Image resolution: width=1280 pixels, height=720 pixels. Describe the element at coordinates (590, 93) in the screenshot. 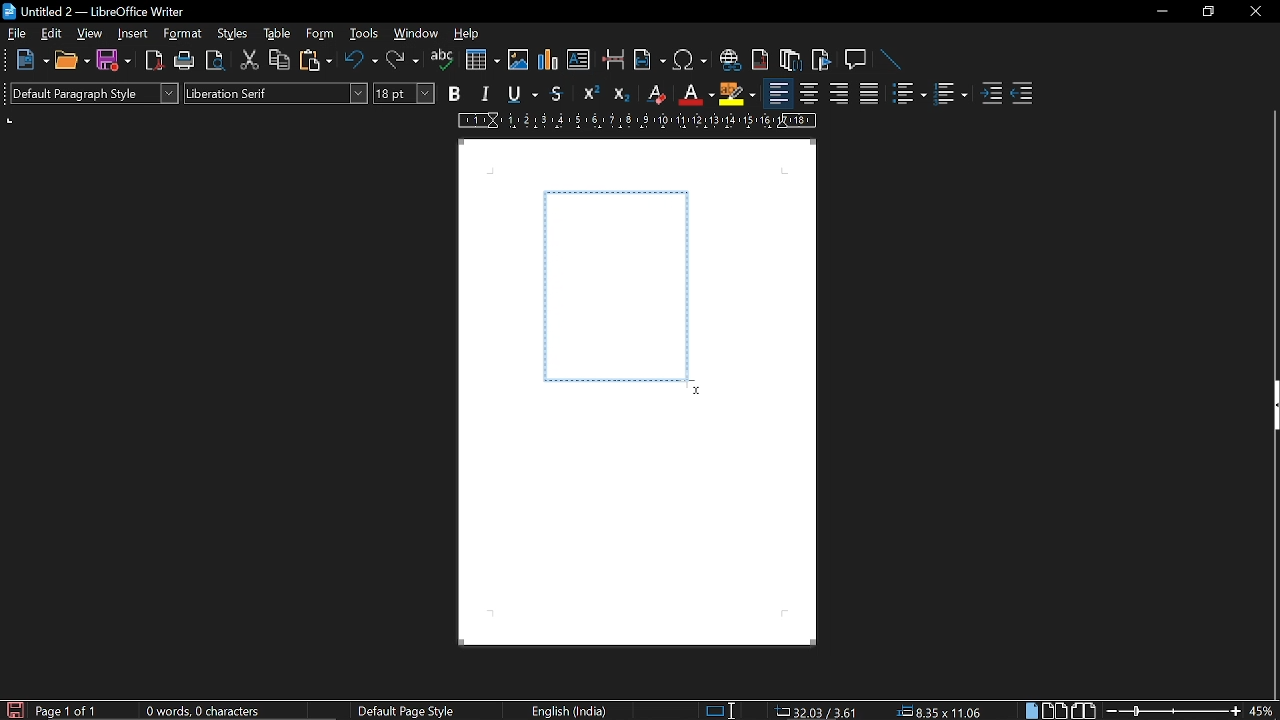

I see `superscript` at that location.